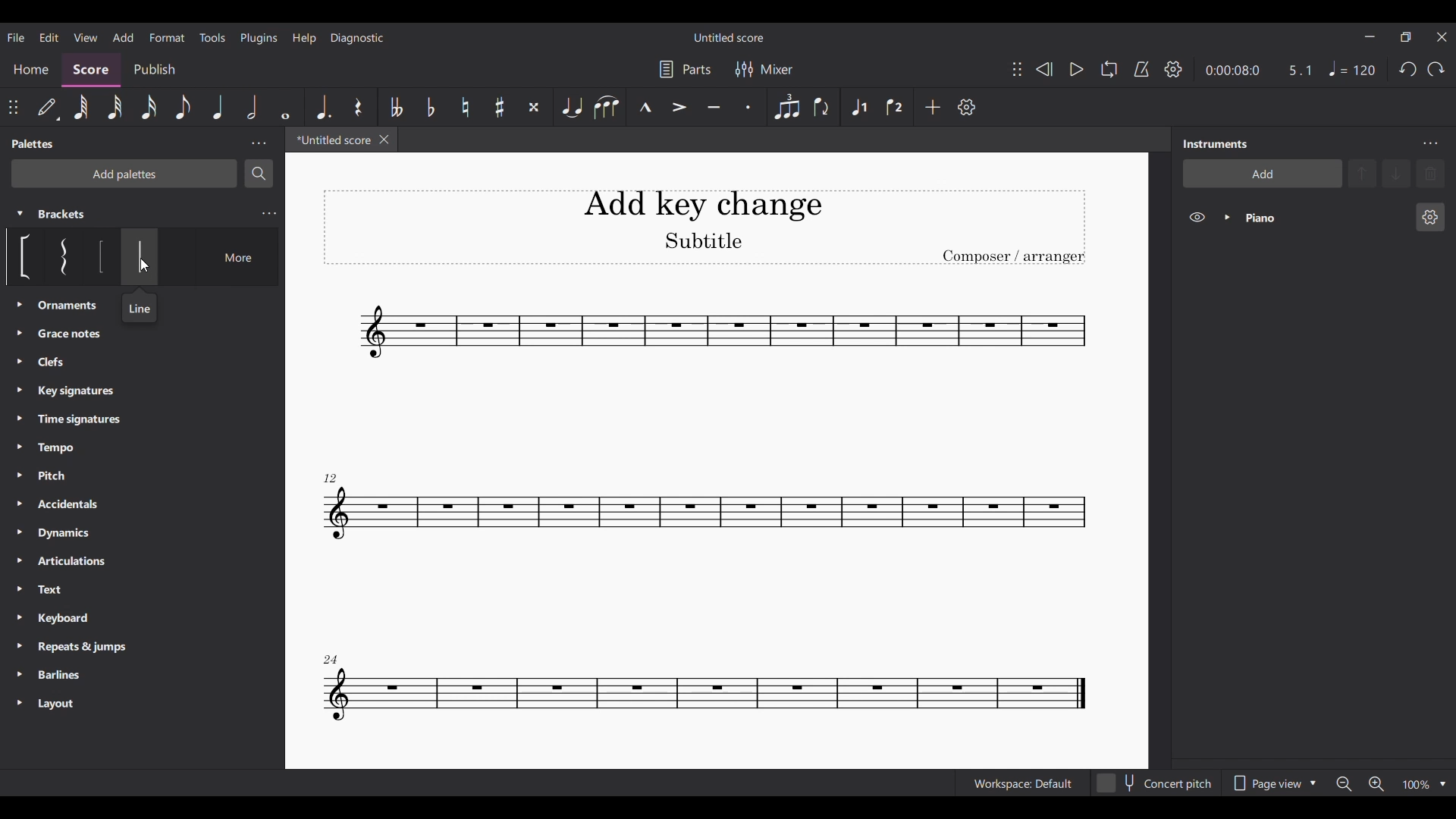 Image resolution: width=1456 pixels, height=819 pixels. Describe the element at coordinates (12, 107) in the screenshot. I see `Change position of toolbar` at that location.